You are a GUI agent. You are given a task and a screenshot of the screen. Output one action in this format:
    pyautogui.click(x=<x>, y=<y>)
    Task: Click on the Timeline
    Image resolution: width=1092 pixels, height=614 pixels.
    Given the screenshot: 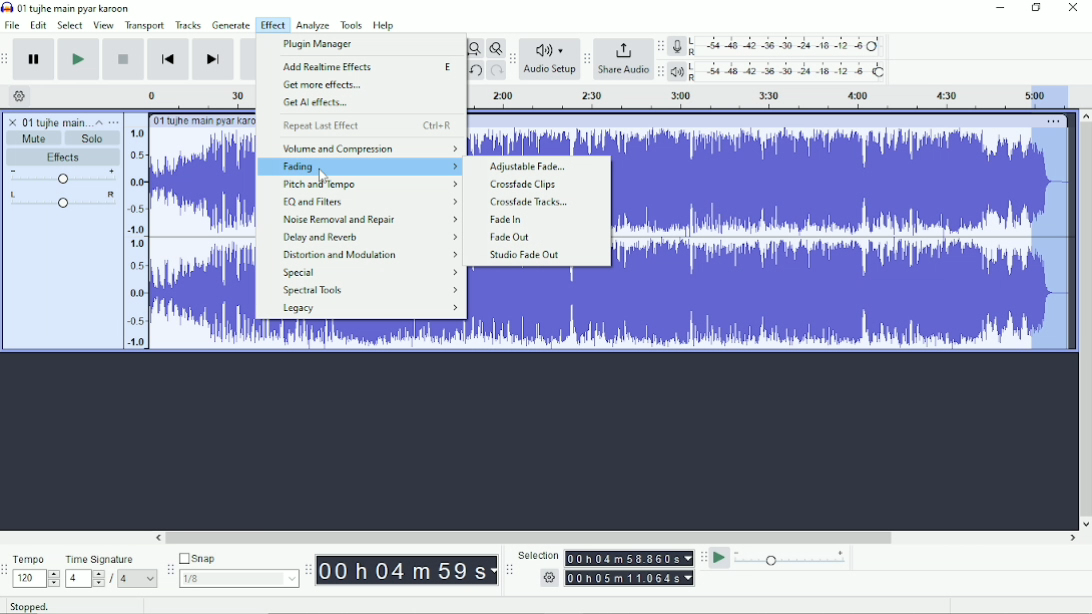 What is the action you would take?
    pyautogui.click(x=189, y=97)
    